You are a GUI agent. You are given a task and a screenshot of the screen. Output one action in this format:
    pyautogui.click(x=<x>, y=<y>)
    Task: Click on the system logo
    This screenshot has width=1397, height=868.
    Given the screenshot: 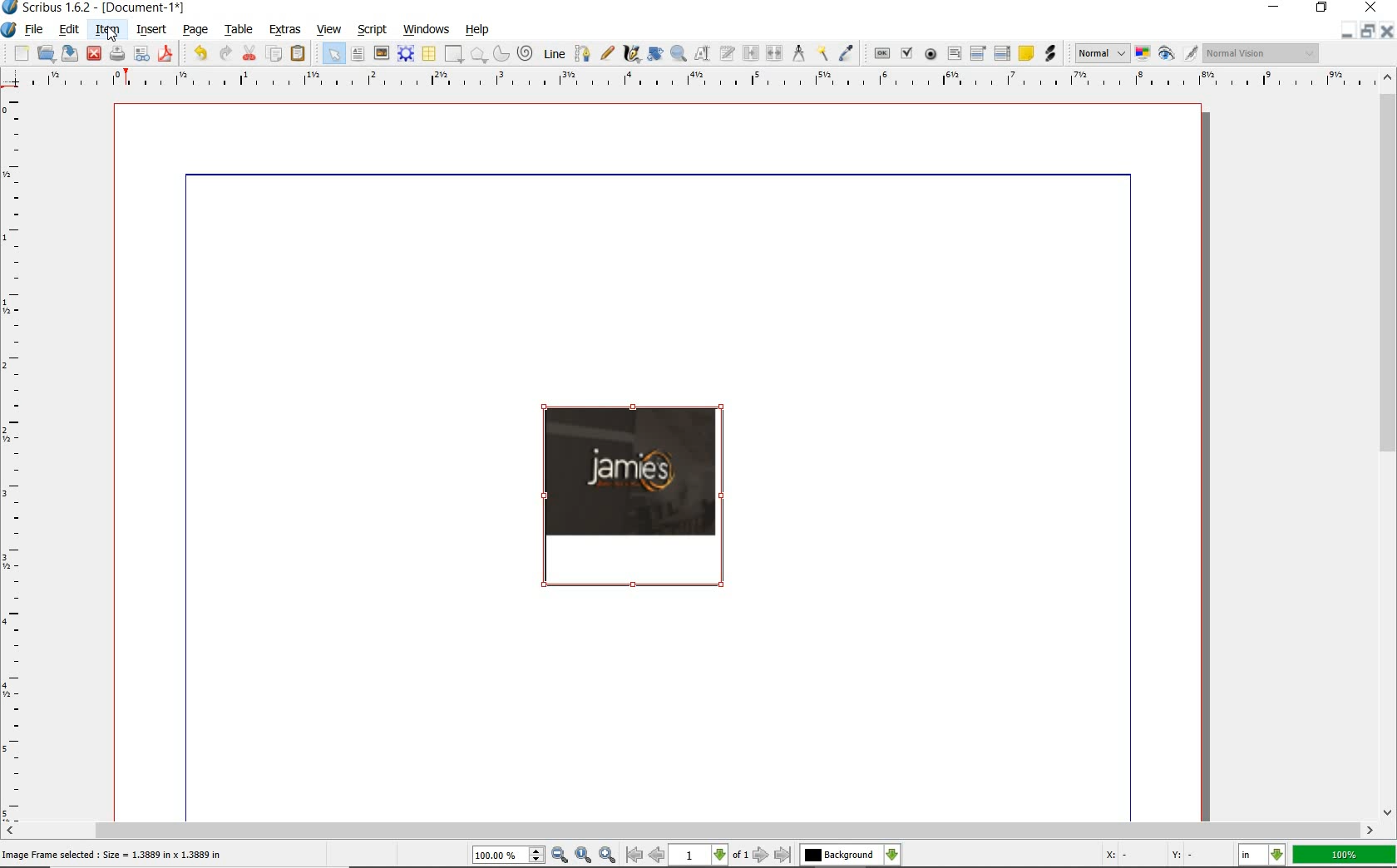 What is the action you would take?
    pyautogui.click(x=8, y=29)
    